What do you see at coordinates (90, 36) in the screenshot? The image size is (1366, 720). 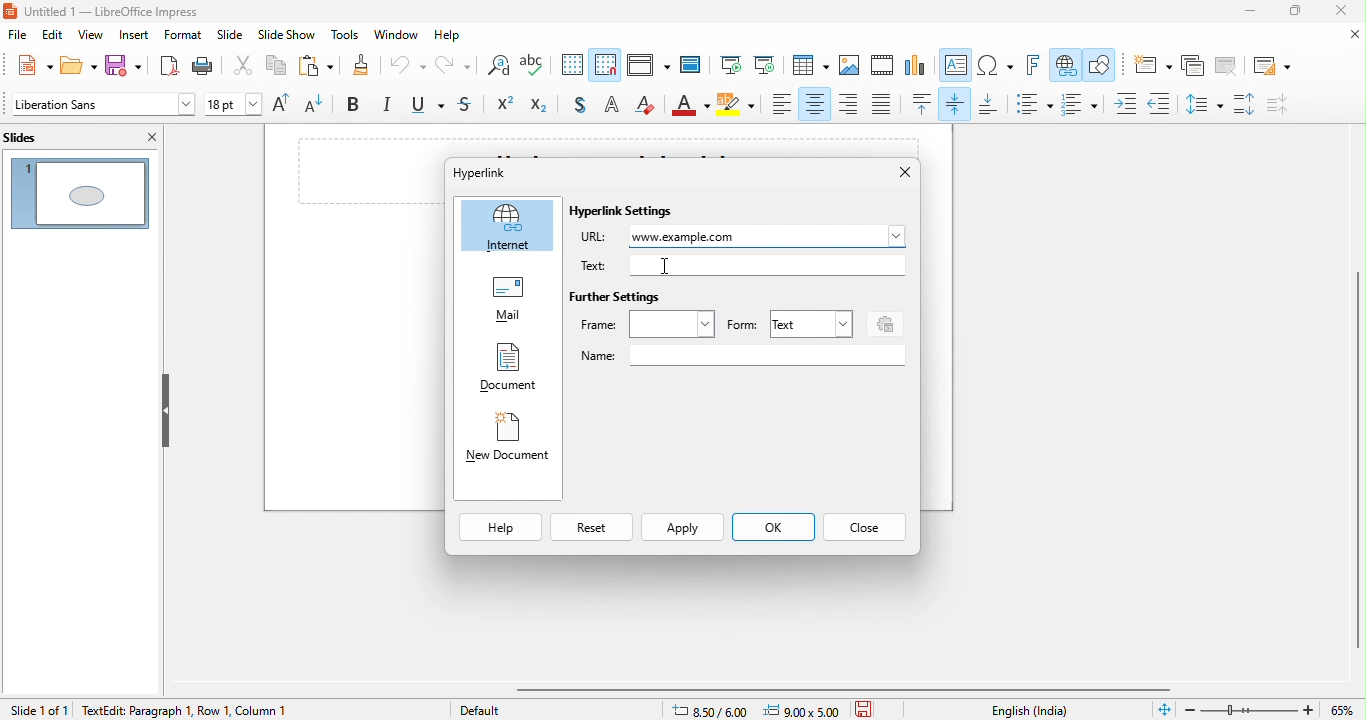 I see `view` at bounding box center [90, 36].